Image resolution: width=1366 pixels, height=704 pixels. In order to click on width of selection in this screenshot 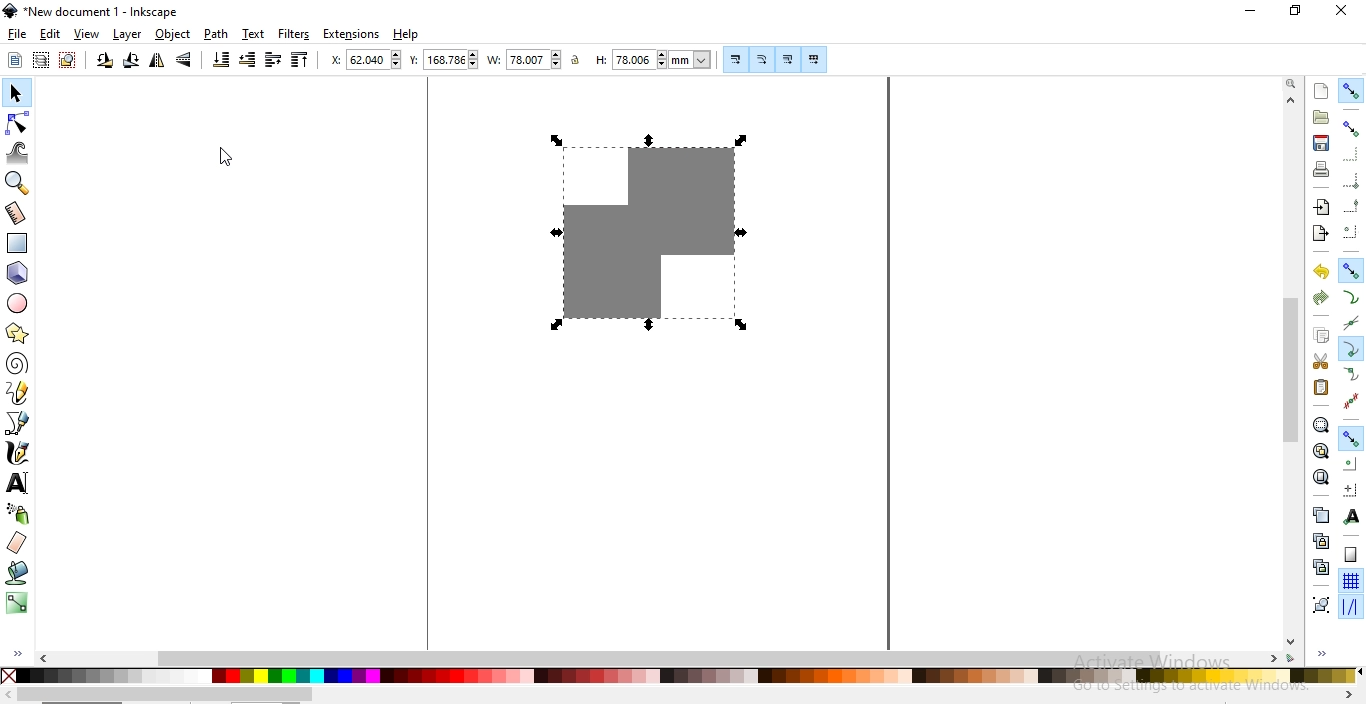, I will do `click(526, 60)`.